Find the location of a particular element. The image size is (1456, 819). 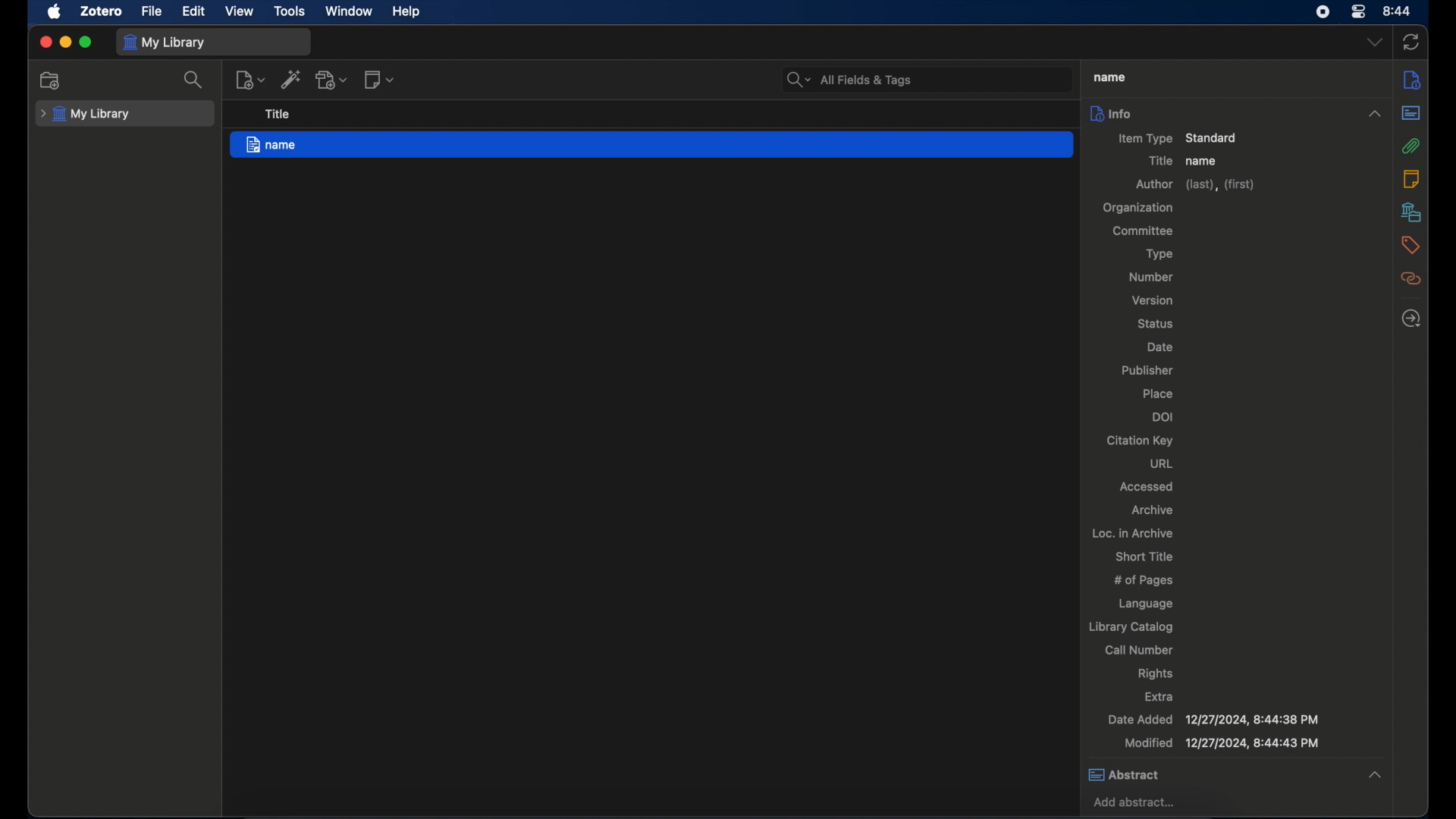

abstract is located at coordinates (1213, 775).